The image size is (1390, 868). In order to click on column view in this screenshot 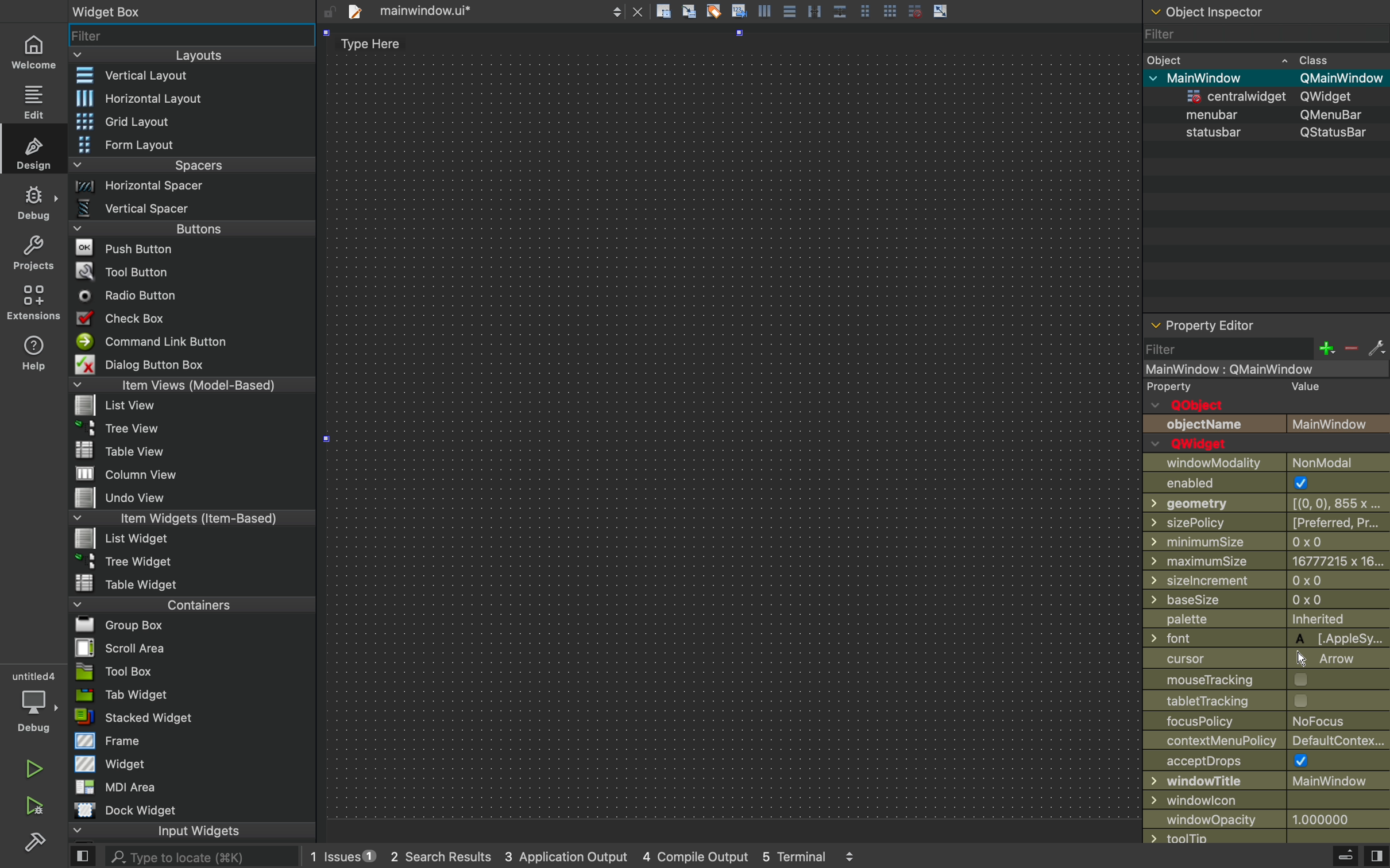, I will do `click(191, 472)`.